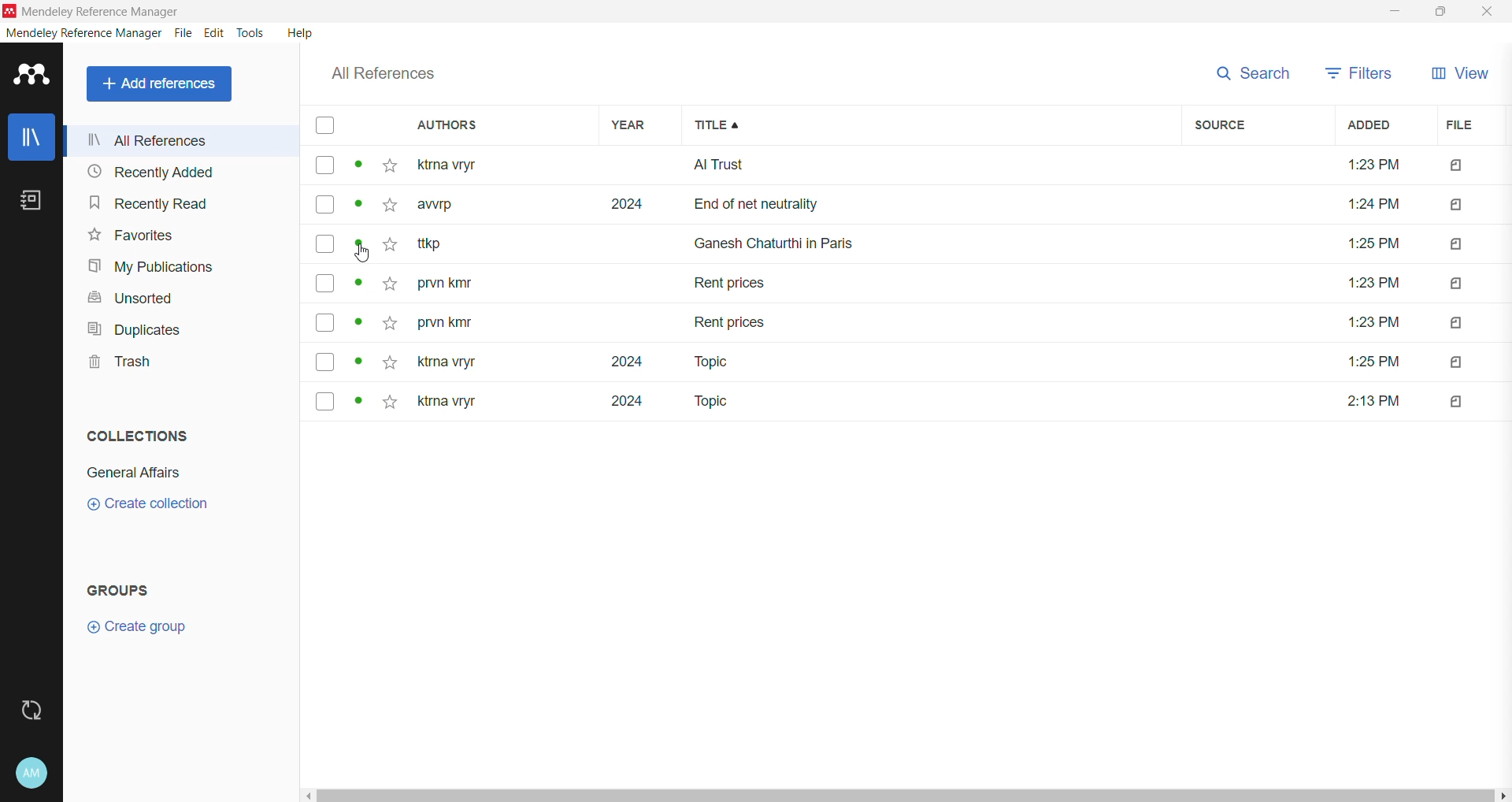 Image resolution: width=1512 pixels, height=802 pixels. Describe the element at coordinates (161, 84) in the screenshot. I see `Add References` at that location.